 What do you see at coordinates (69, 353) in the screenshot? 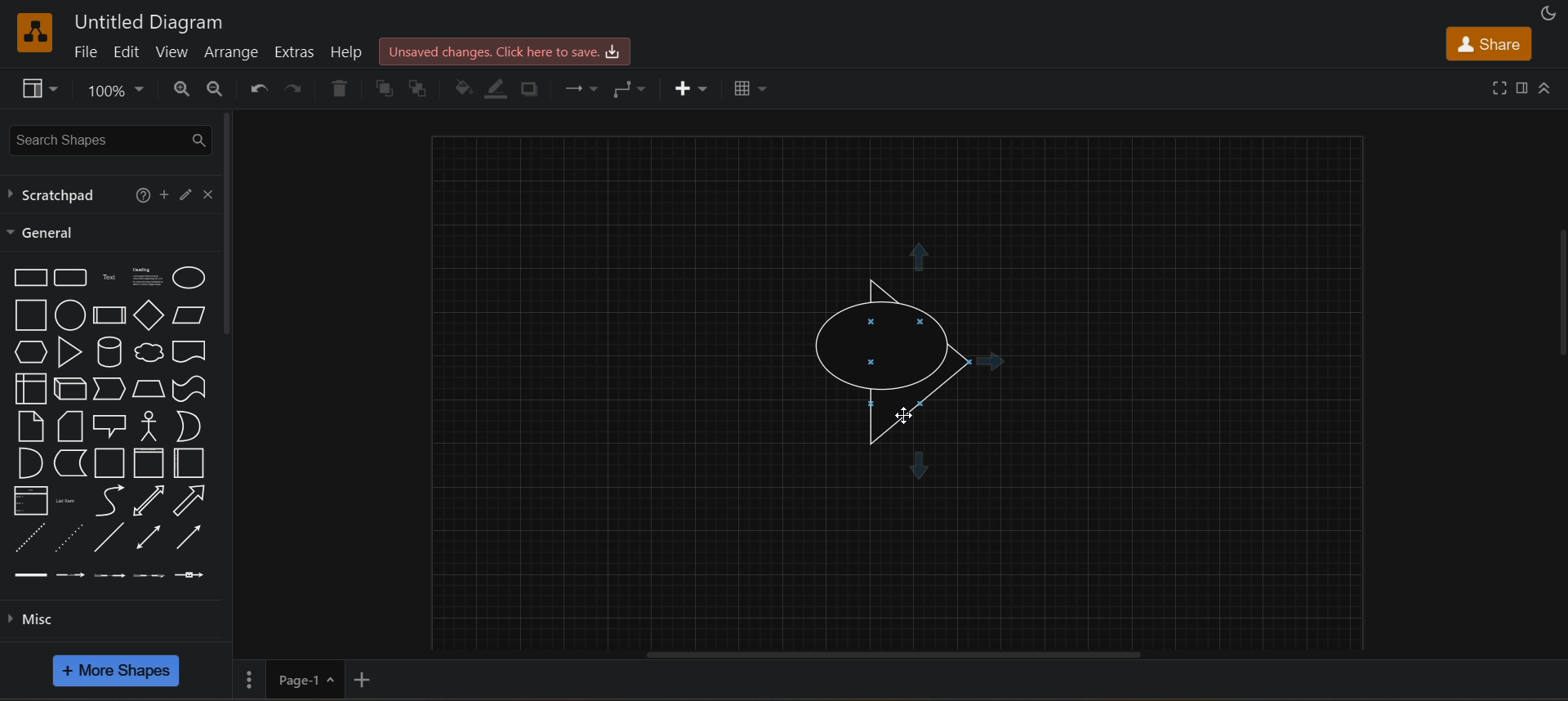
I see `triangle` at bounding box center [69, 353].